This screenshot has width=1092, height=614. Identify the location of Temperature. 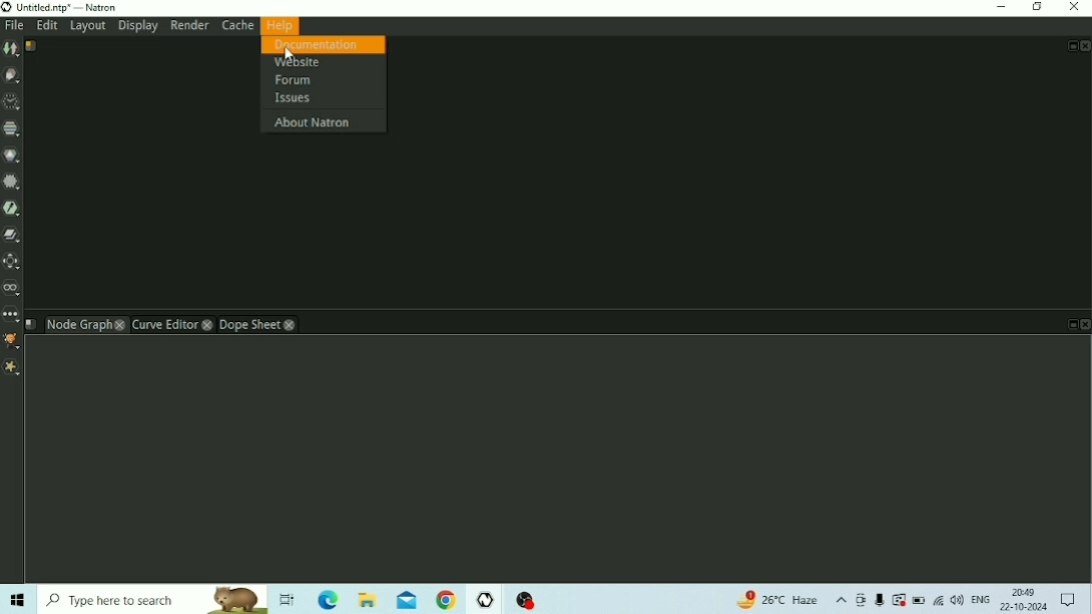
(777, 600).